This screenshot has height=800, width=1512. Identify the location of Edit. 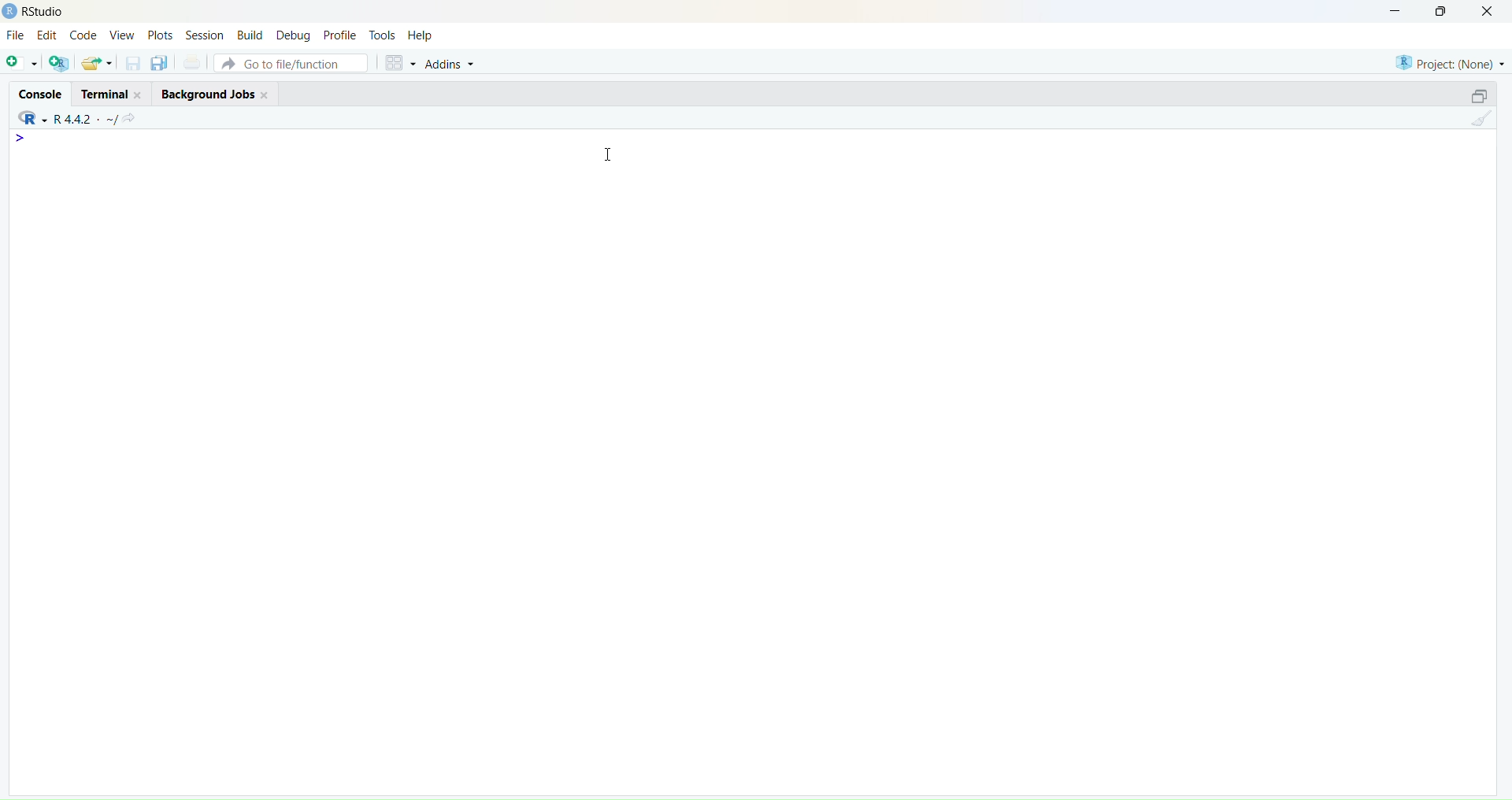
(46, 37).